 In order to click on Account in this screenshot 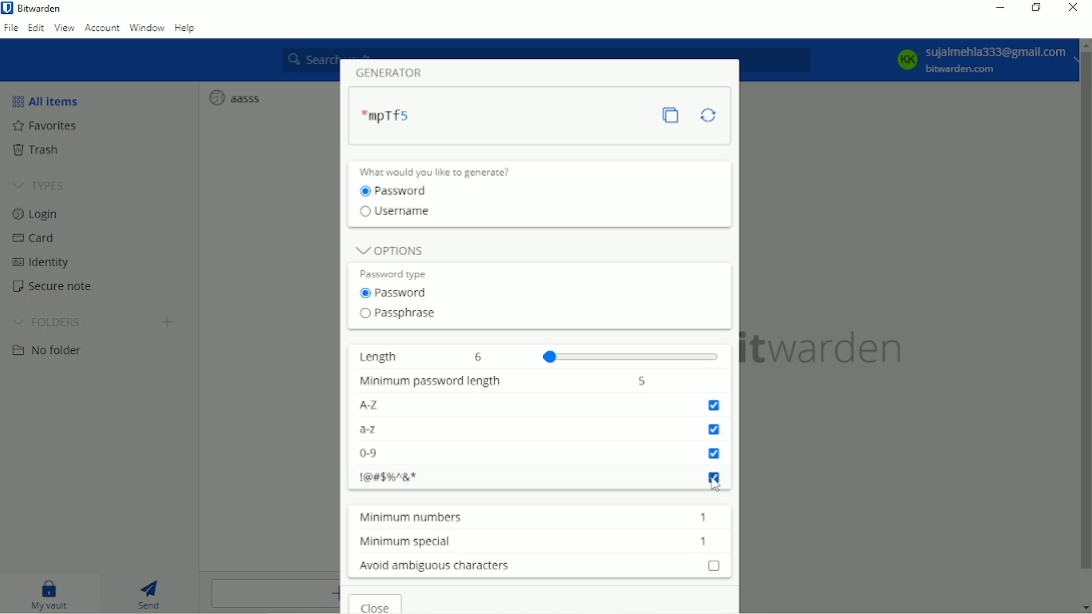, I will do `click(102, 28)`.